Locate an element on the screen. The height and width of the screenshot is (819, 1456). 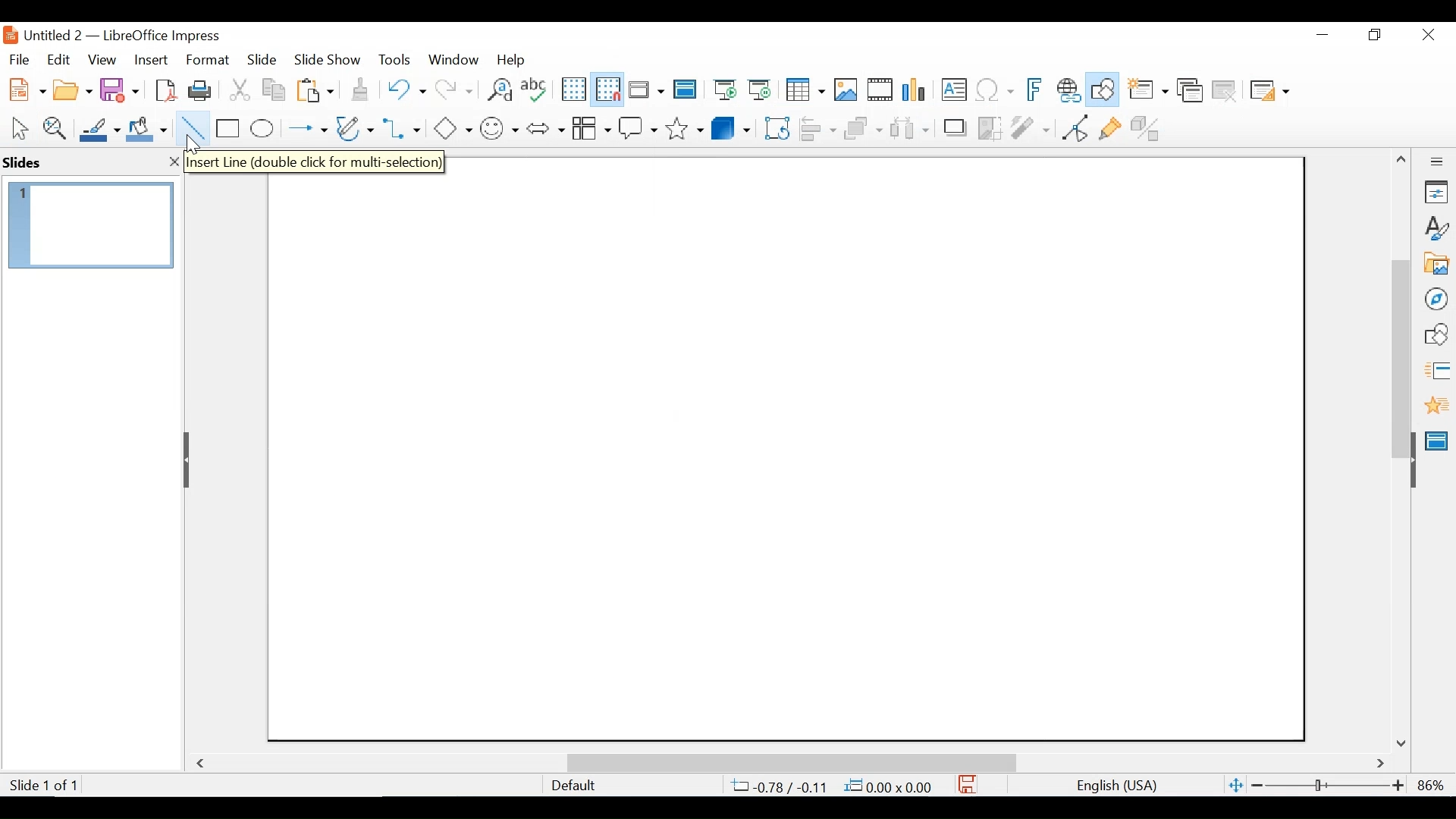
Shapes is located at coordinates (1436, 334).